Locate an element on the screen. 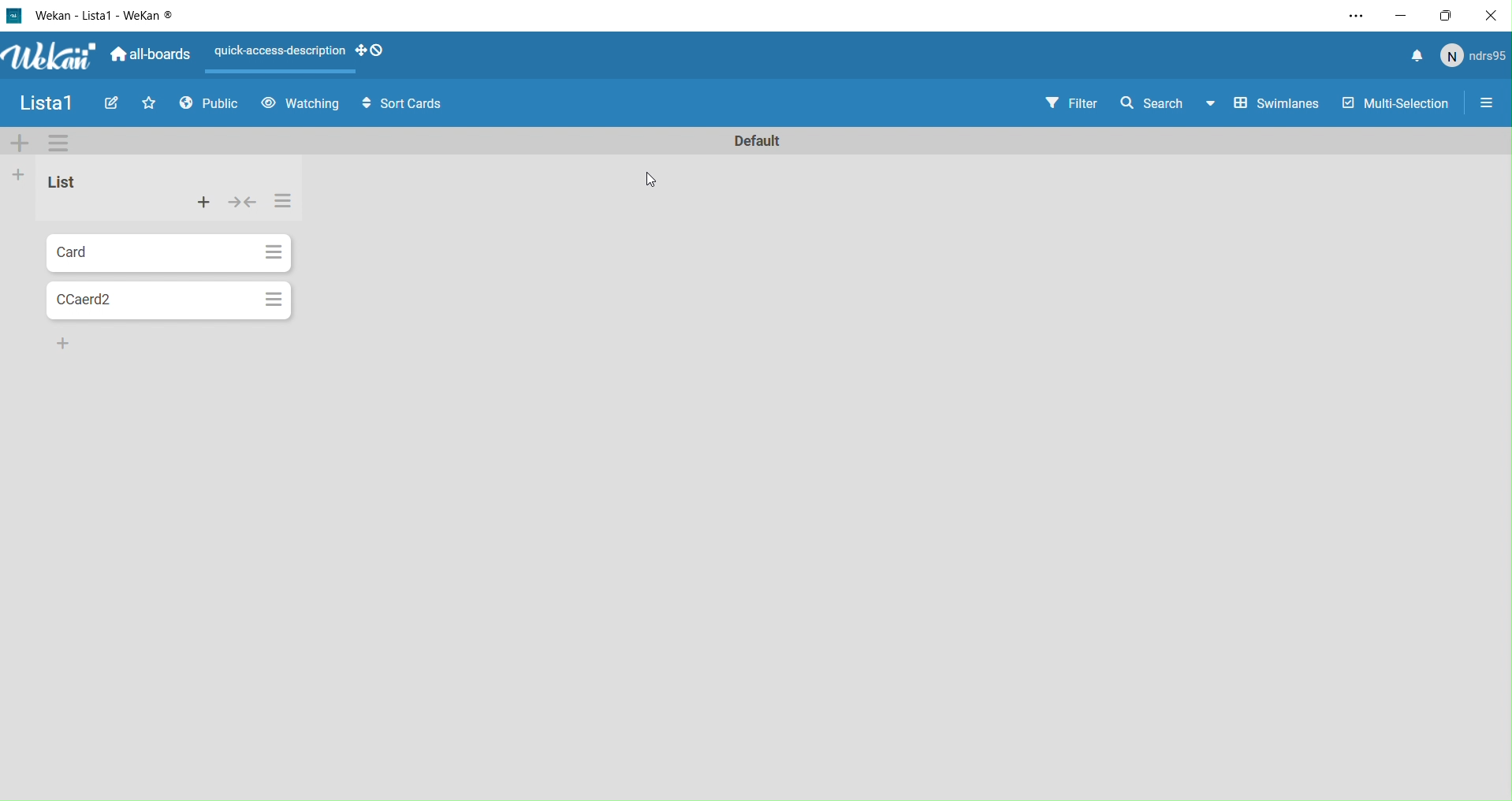  Favourites is located at coordinates (147, 103).